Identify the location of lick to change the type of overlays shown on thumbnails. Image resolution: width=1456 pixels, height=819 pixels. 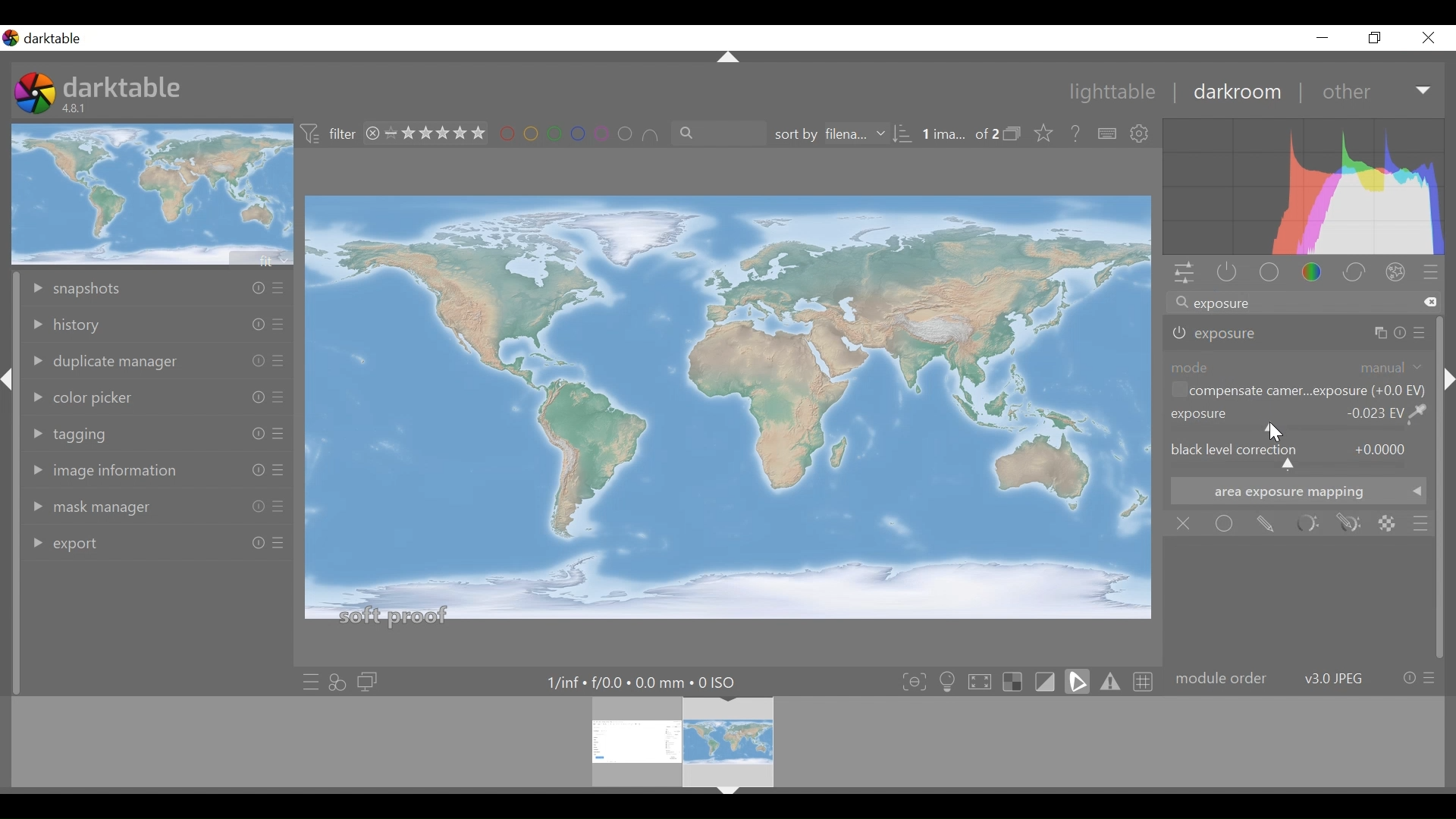
(1045, 134).